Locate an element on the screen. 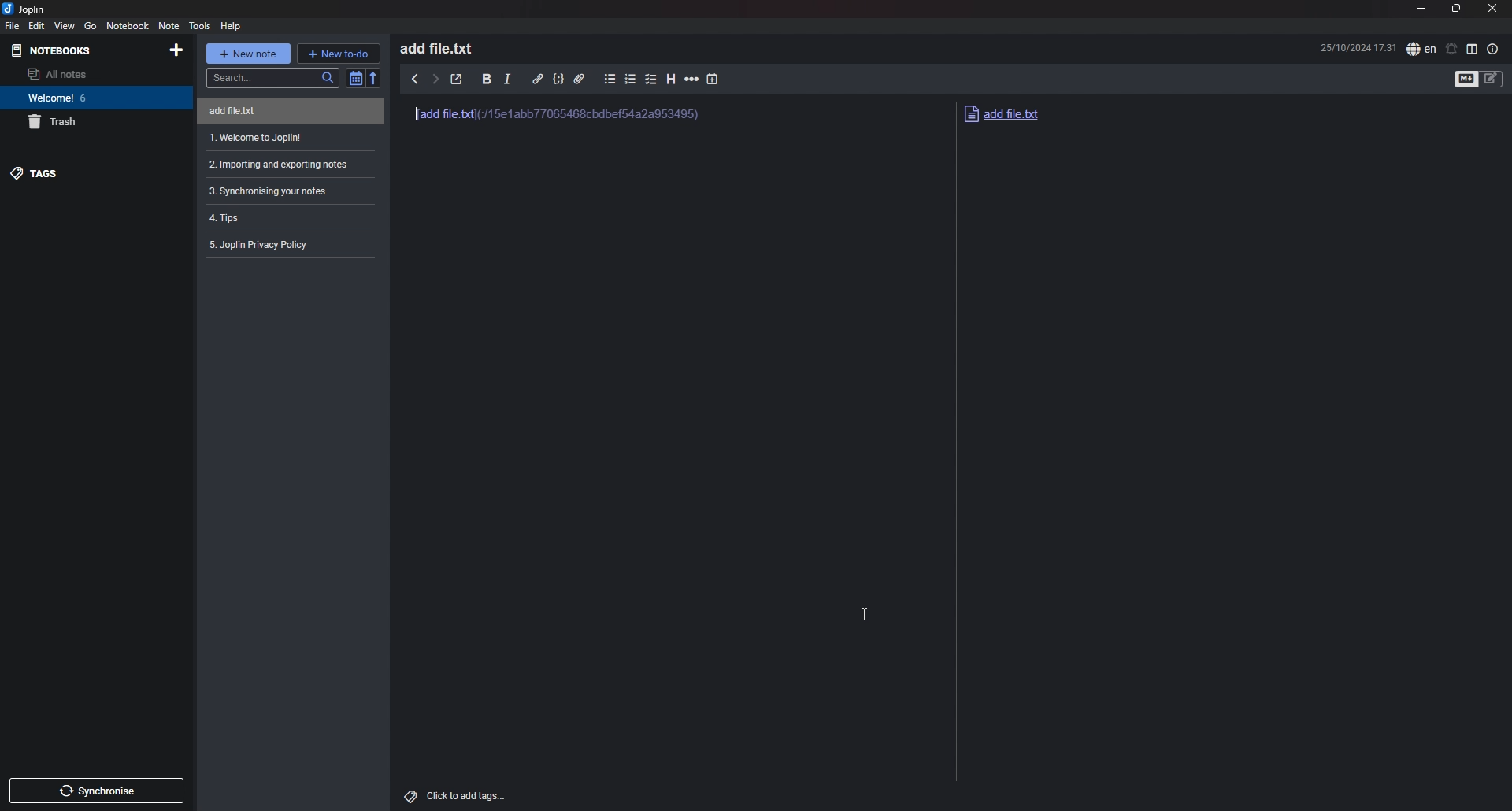 This screenshot has height=811, width=1512. bullet list is located at coordinates (611, 79).